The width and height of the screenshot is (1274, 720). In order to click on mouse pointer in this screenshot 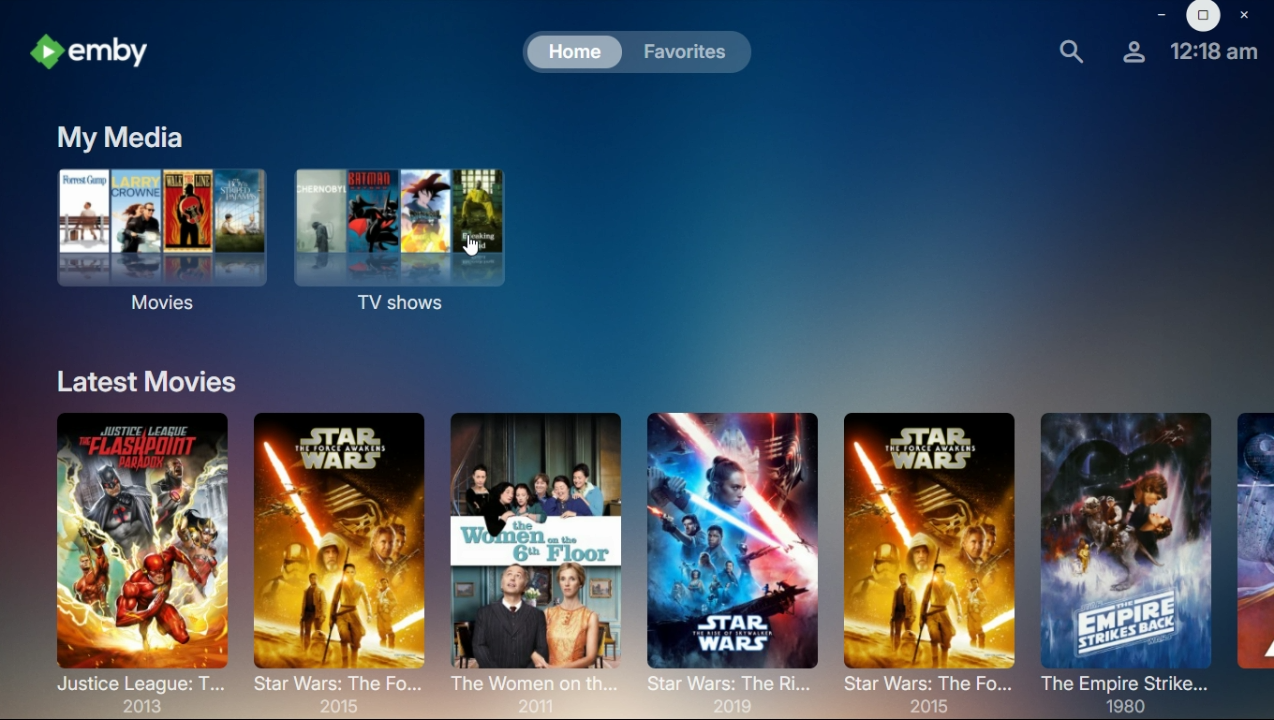, I will do `click(474, 252)`.